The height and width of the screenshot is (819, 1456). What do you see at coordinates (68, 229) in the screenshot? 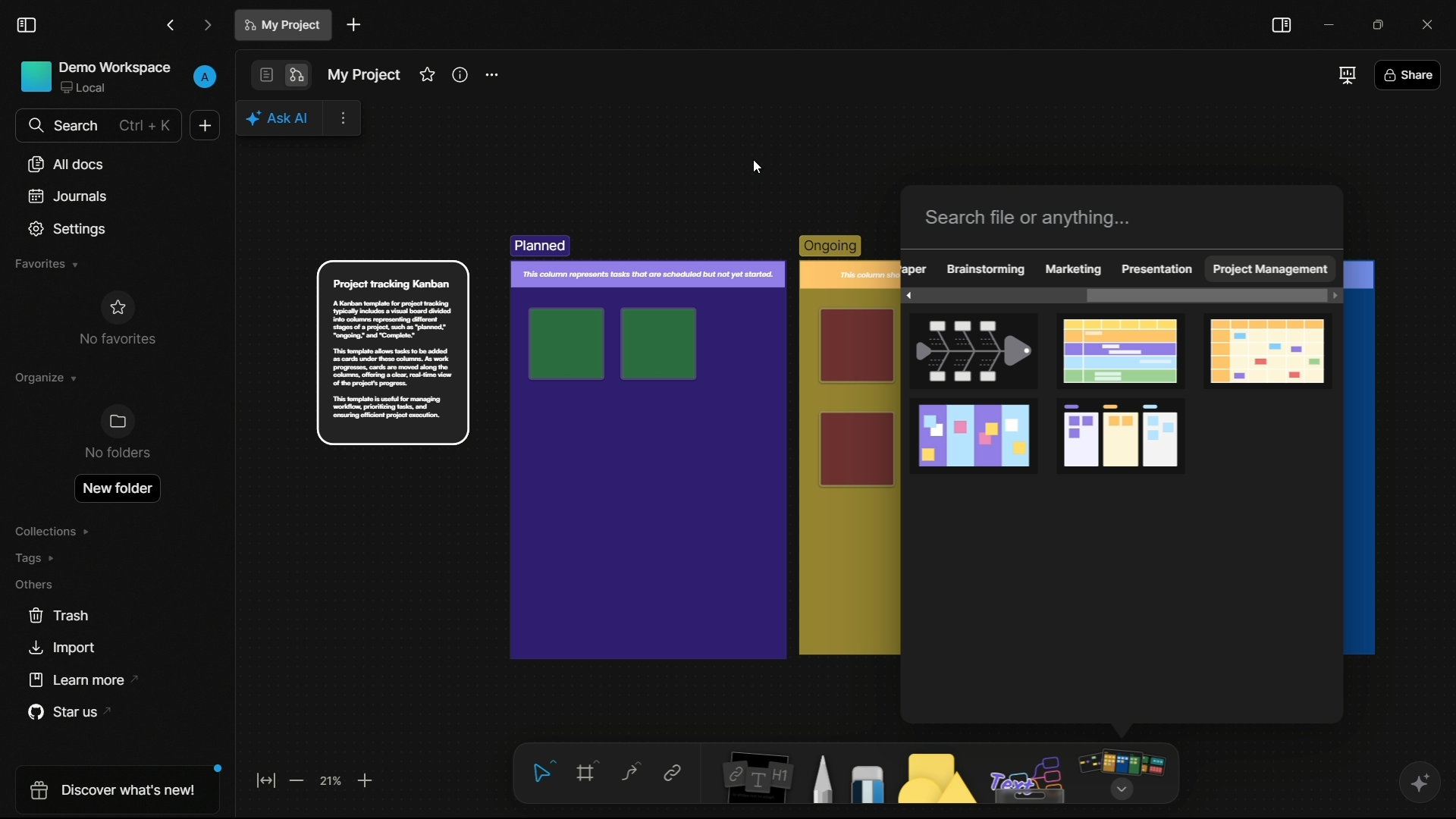
I see `settings` at bounding box center [68, 229].